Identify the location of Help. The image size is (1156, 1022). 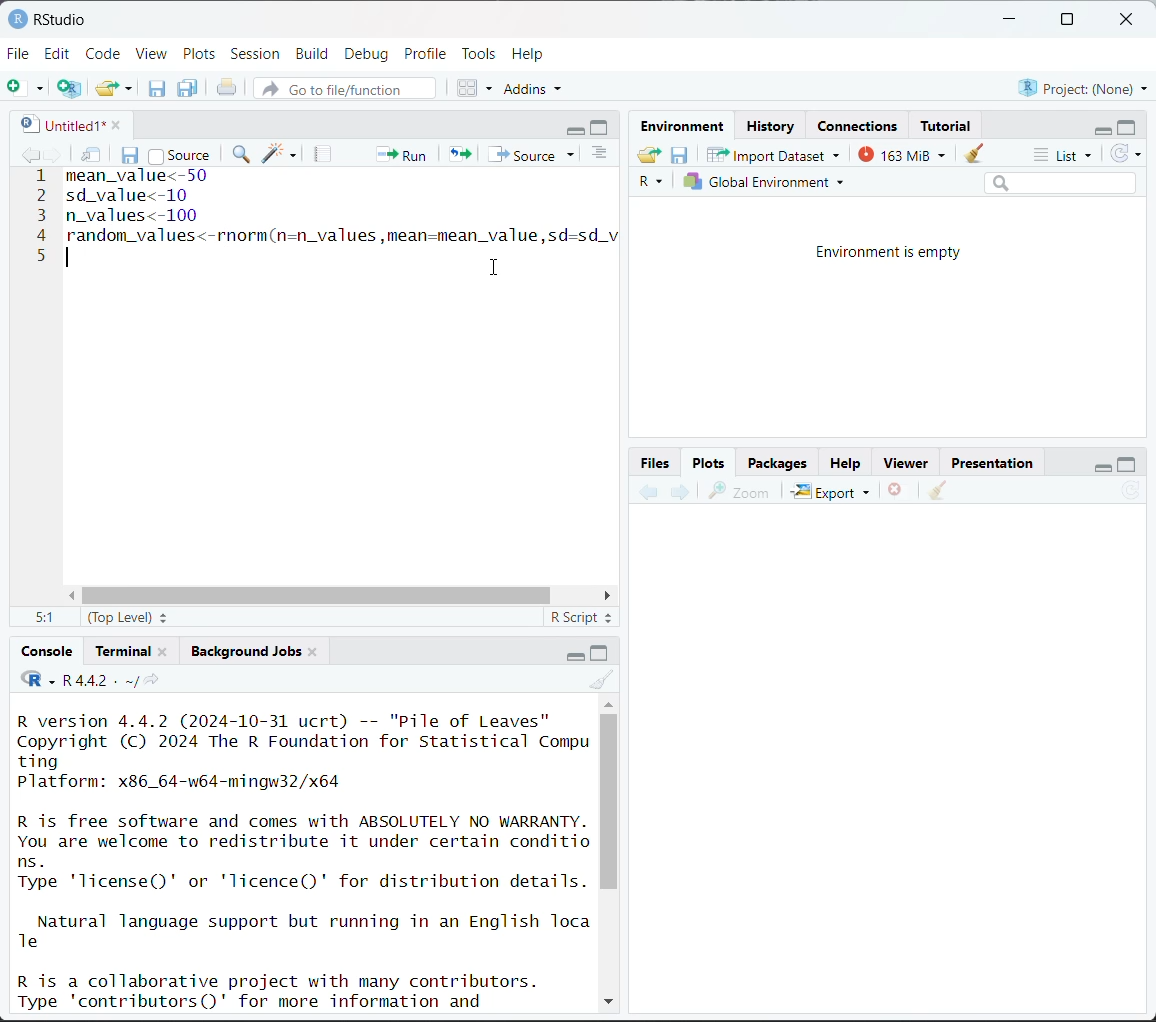
(845, 465).